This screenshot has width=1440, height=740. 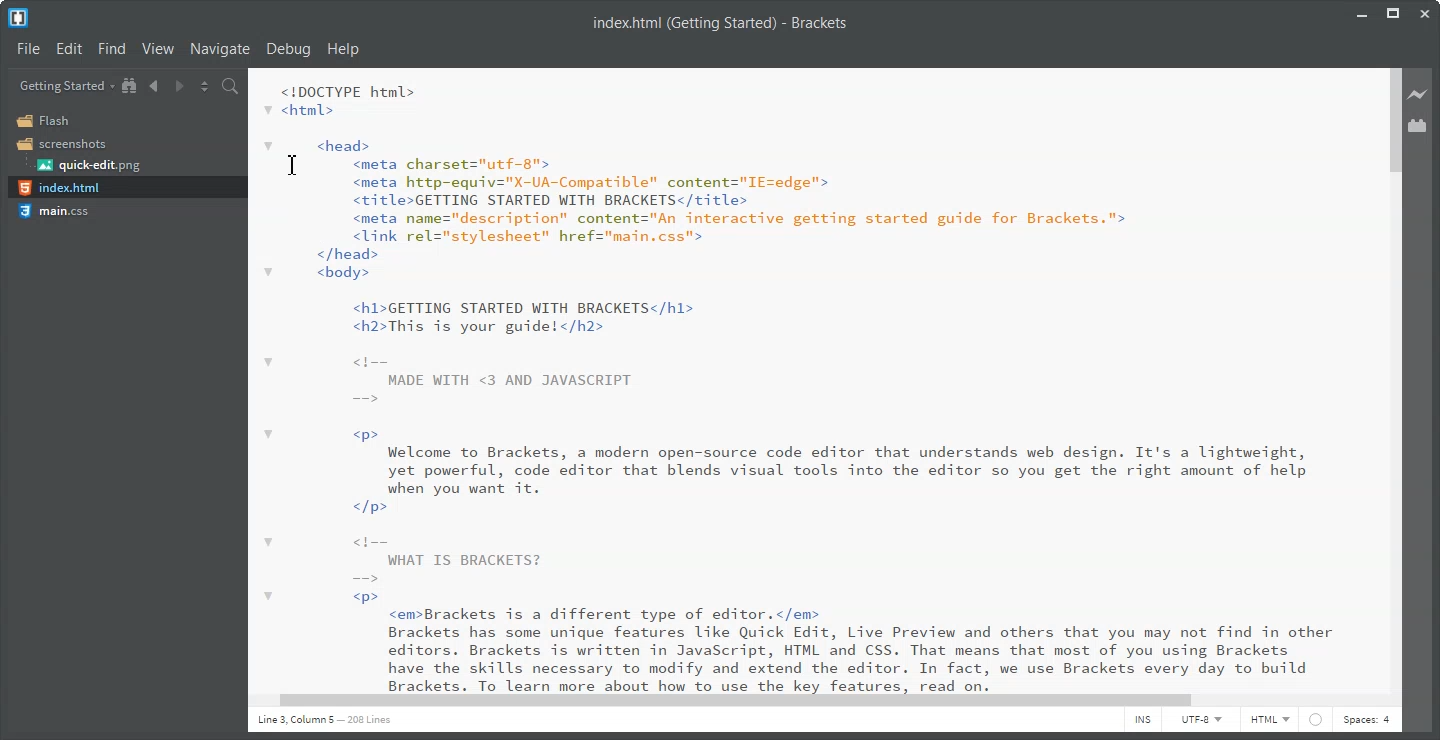 I want to click on Edit, so click(x=70, y=49).